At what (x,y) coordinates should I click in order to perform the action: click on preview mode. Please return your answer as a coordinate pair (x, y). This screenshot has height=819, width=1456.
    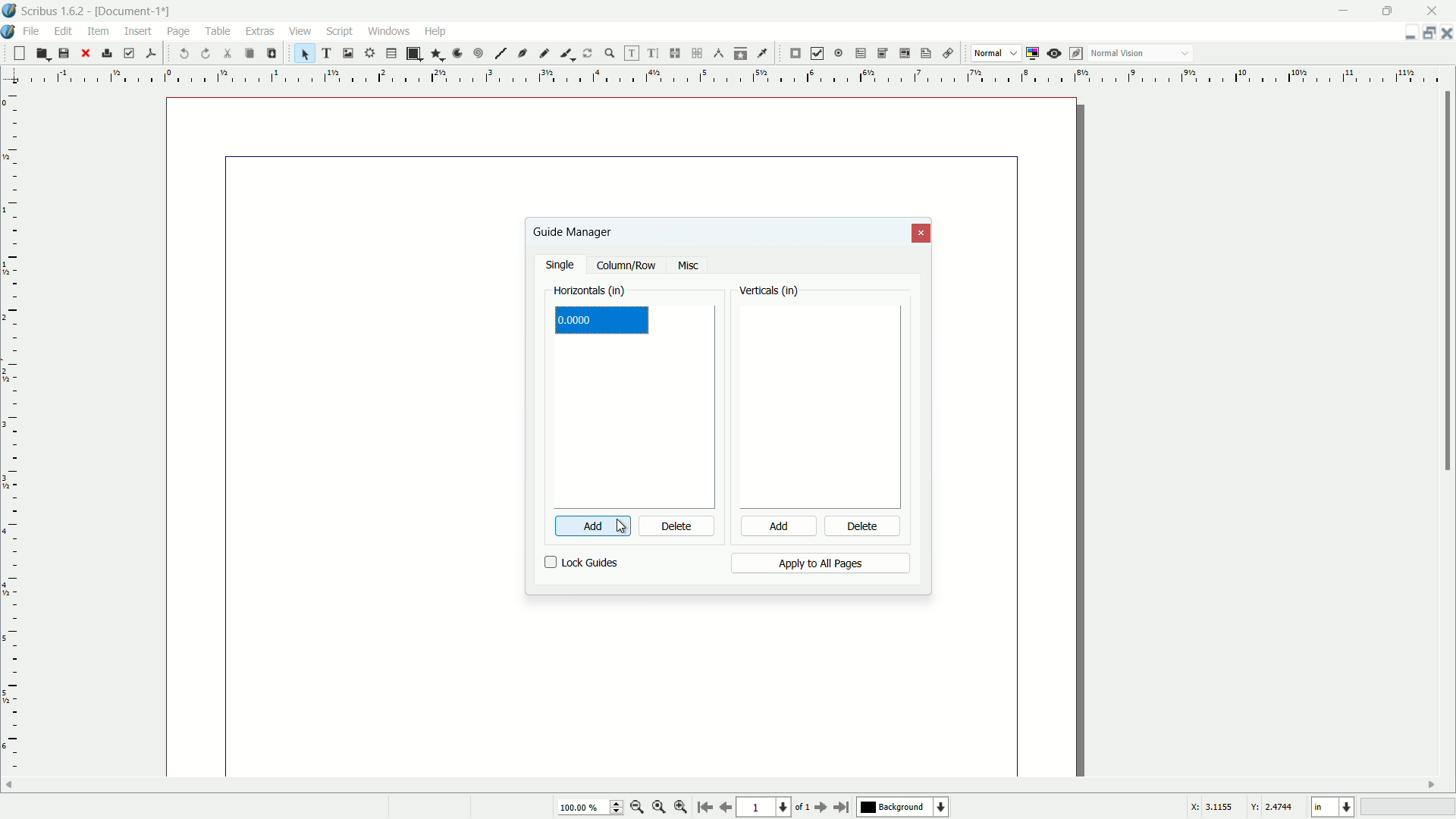
    Looking at the image, I should click on (1056, 53).